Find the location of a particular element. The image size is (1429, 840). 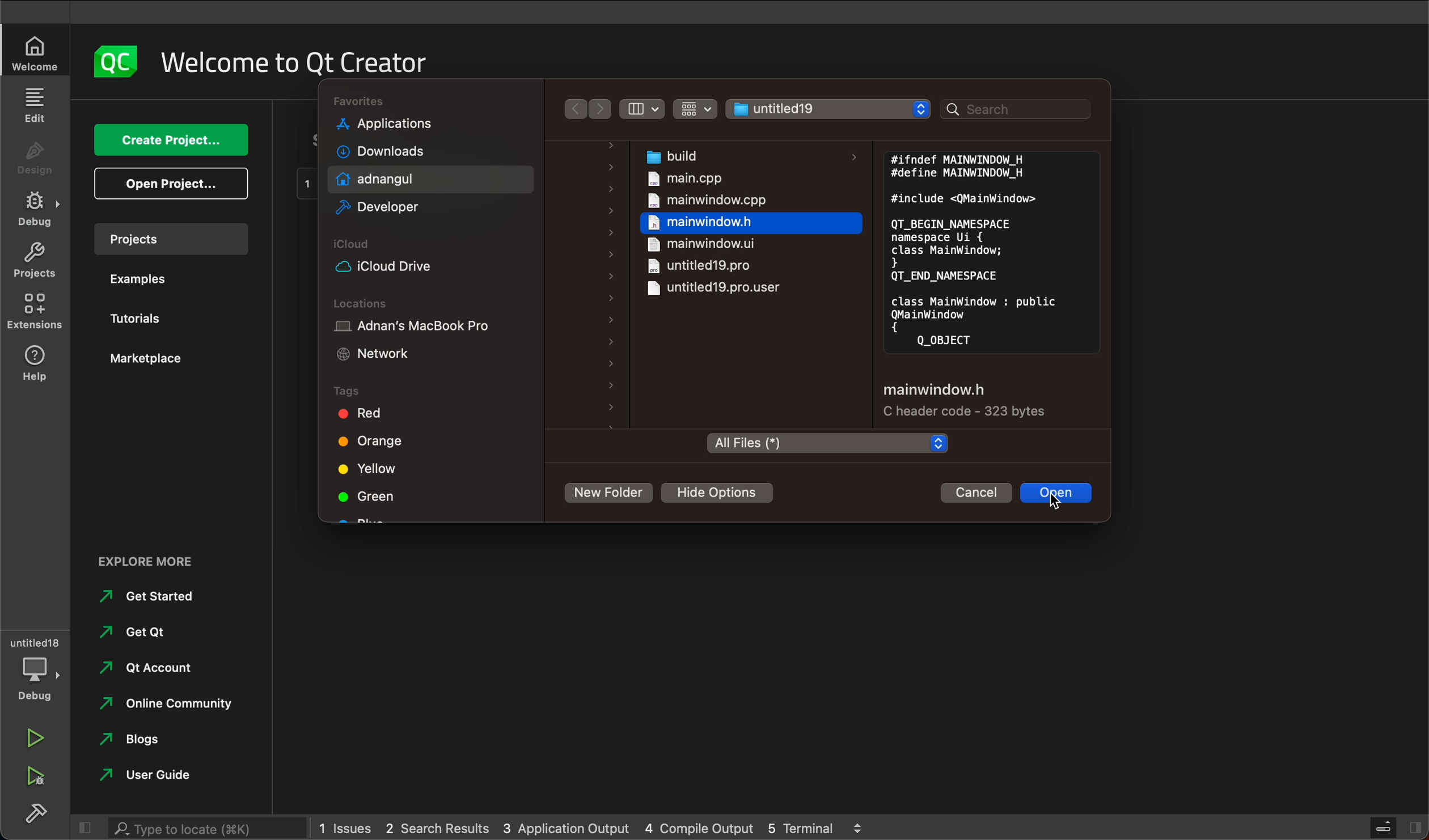

icloud drive is located at coordinates (400, 266).